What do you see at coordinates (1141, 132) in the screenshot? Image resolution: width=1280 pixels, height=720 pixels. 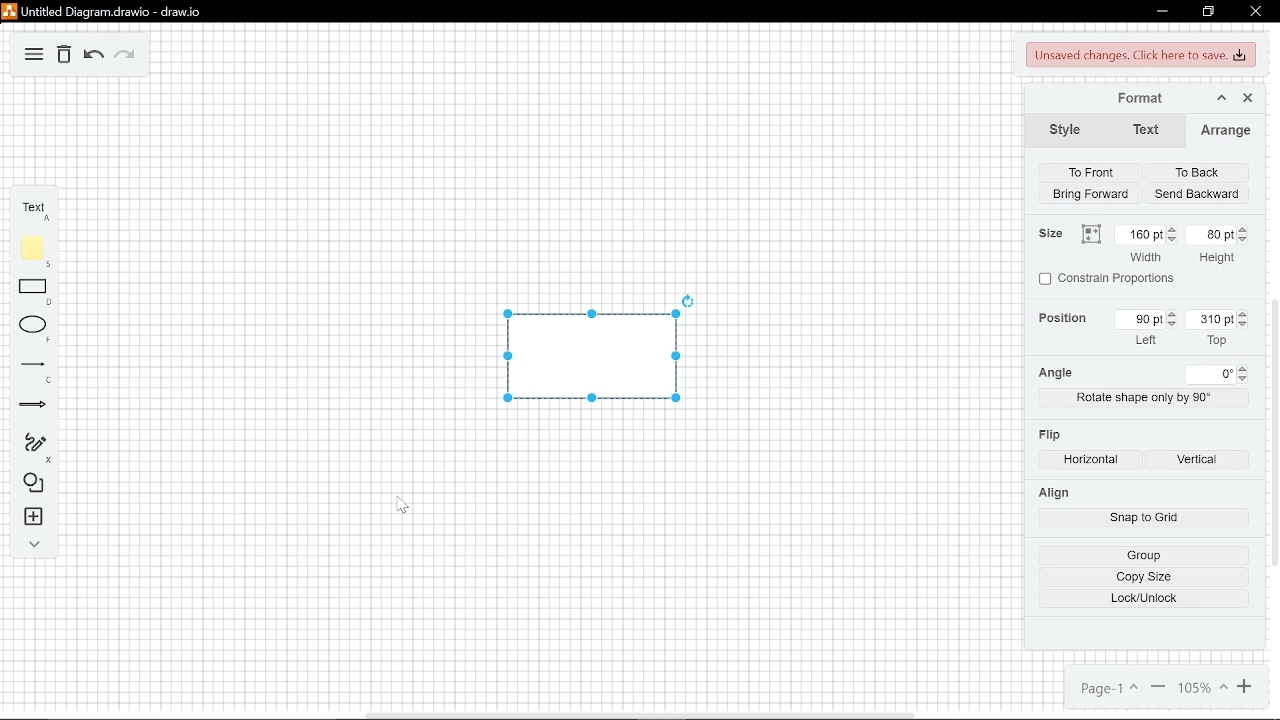 I see `text` at bounding box center [1141, 132].